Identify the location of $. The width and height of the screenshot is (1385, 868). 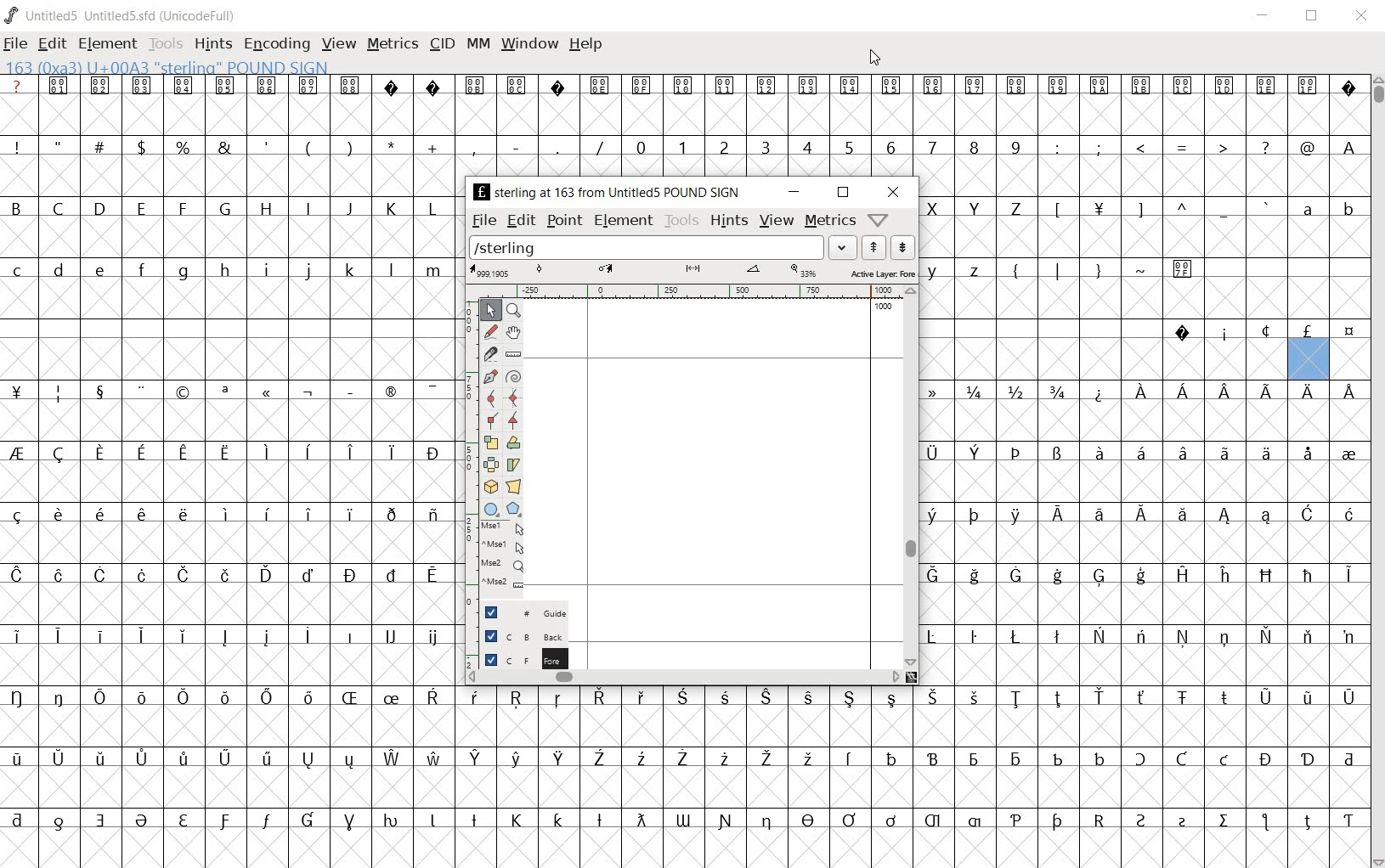
(144, 147).